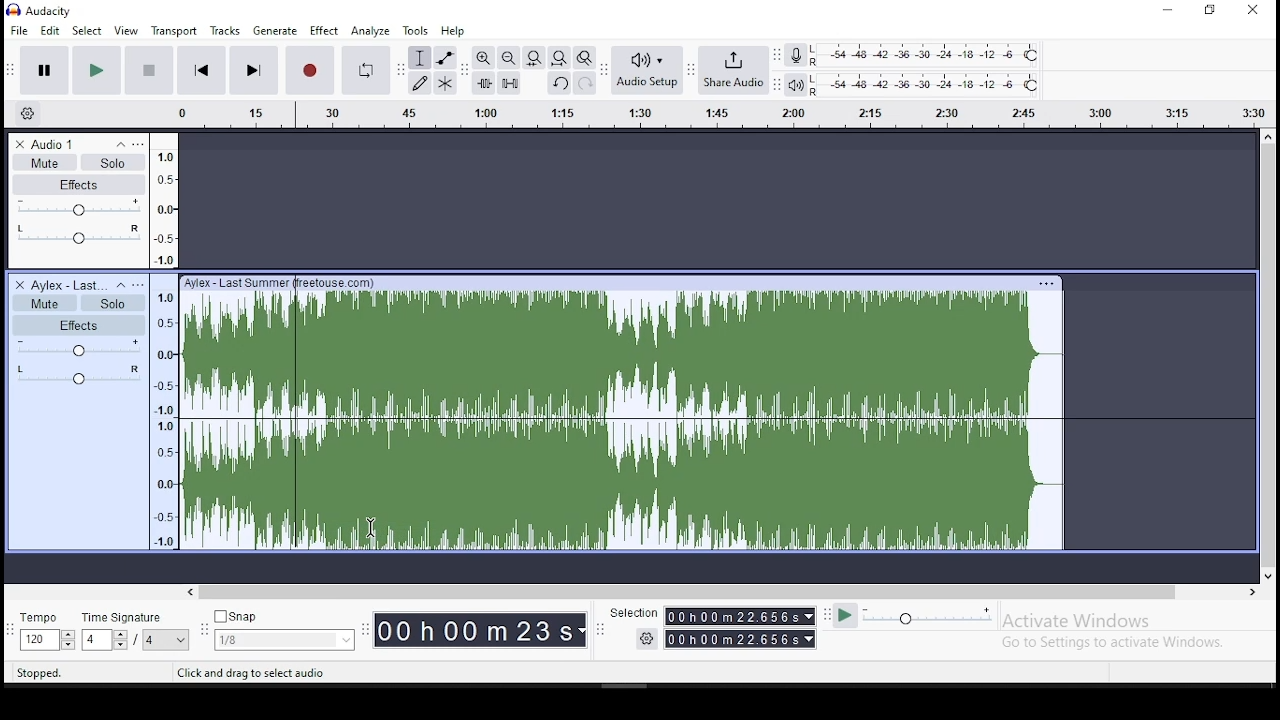 The height and width of the screenshot is (720, 1280). I want to click on selection tool, so click(420, 58).